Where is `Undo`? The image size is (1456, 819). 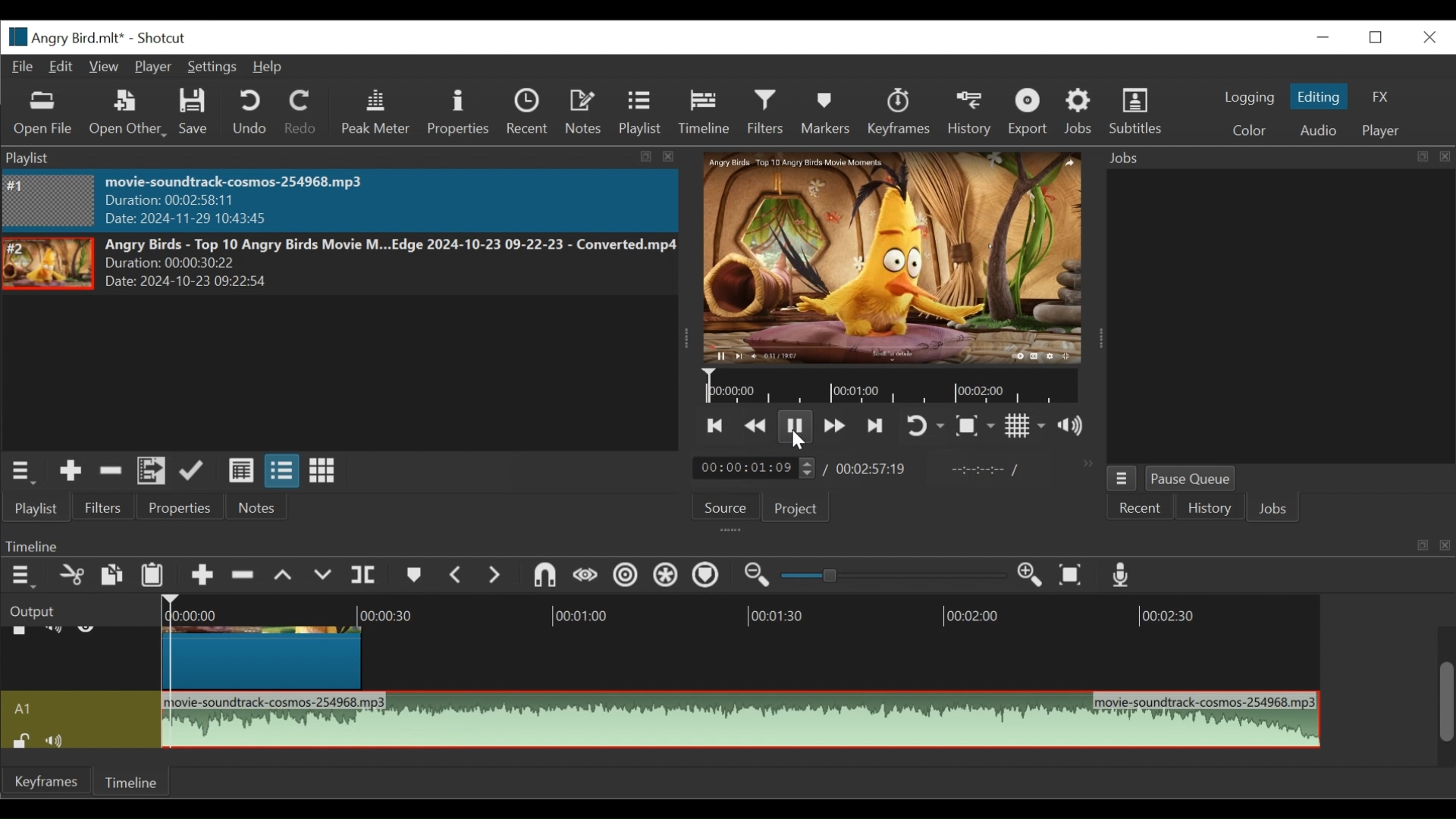 Undo is located at coordinates (251, 112).